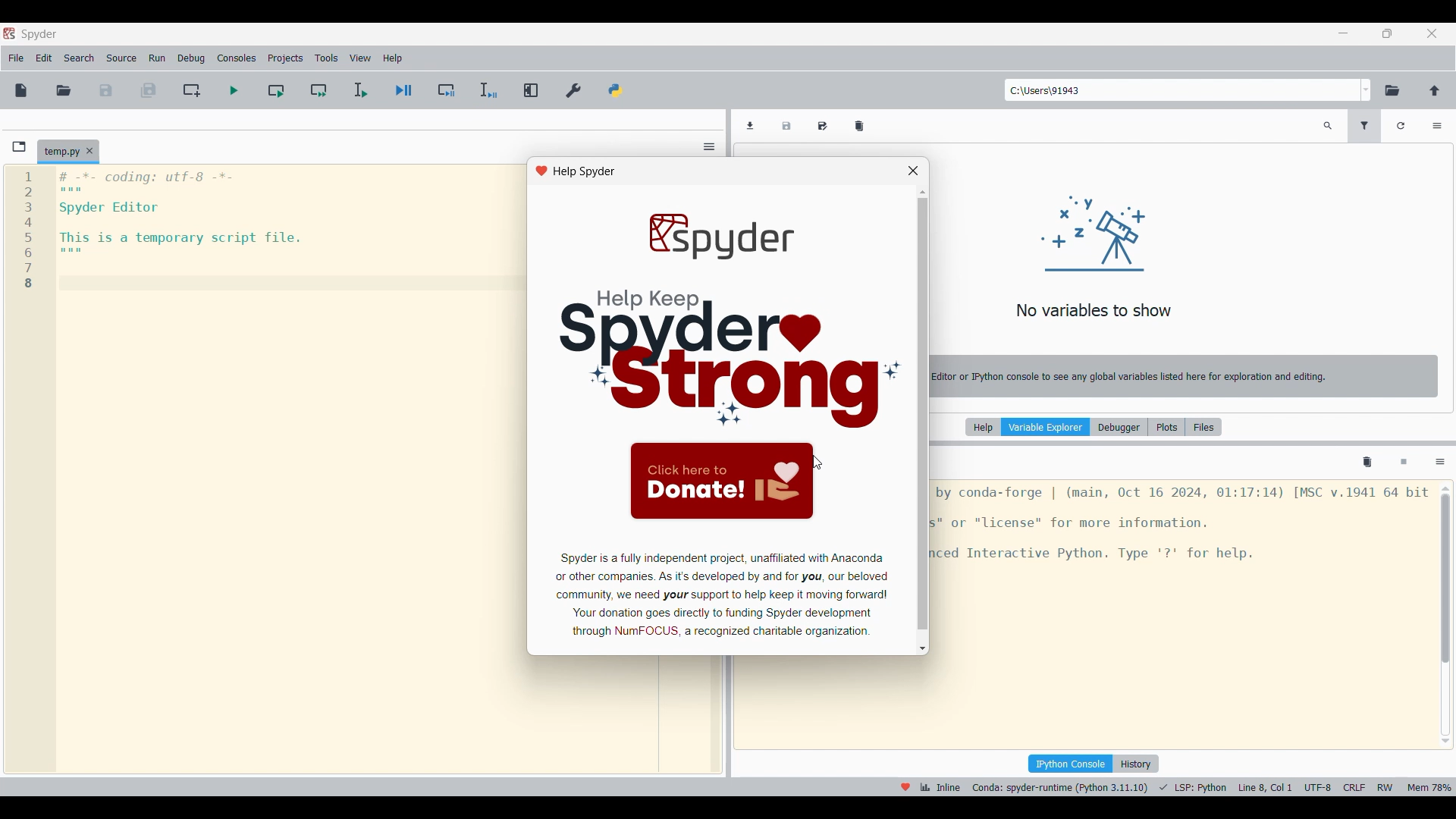  I want to click on Search menu, so click(80, 58).